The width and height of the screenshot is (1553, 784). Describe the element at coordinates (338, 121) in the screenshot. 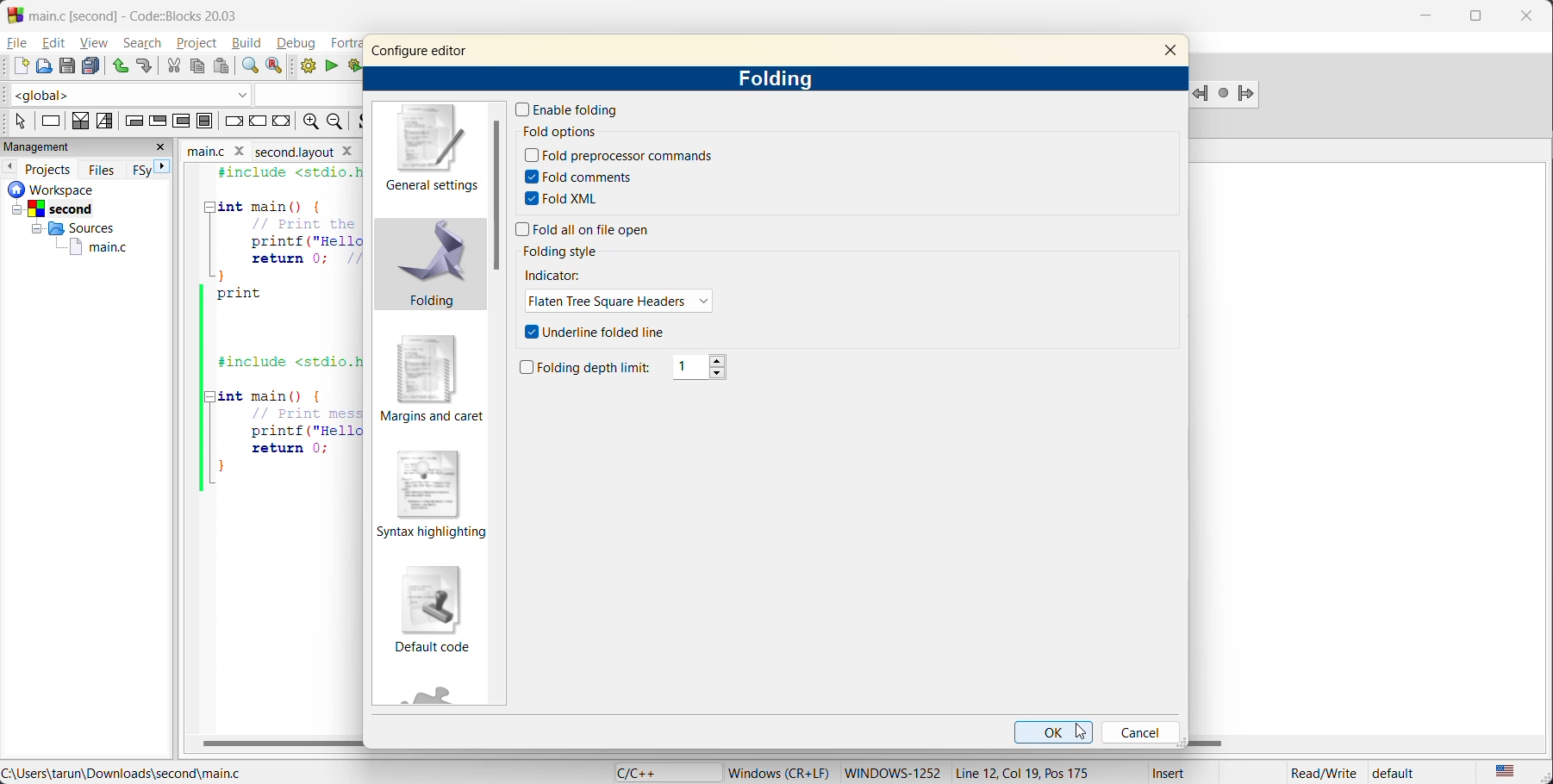

I see `zoom out` at that location.